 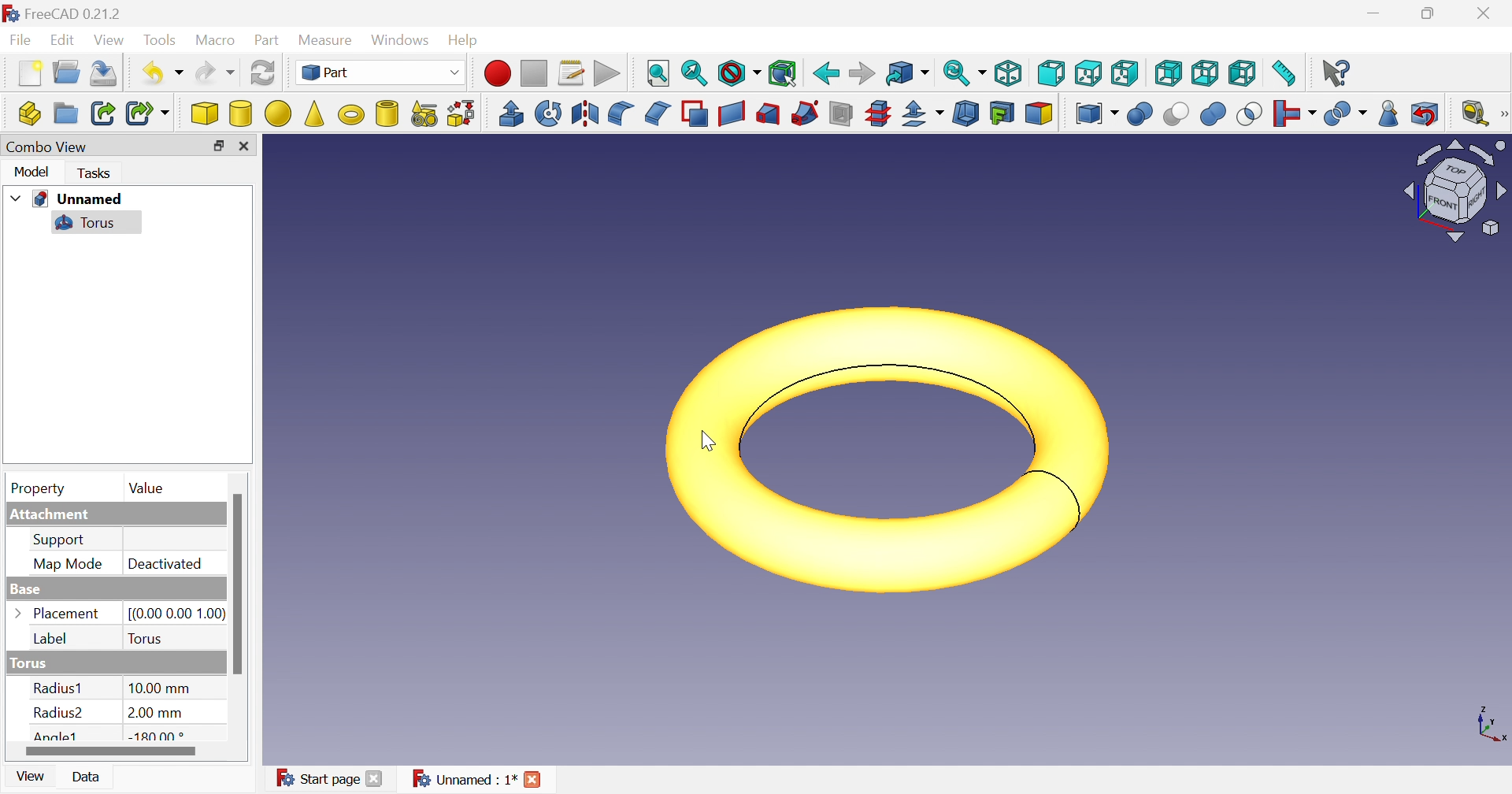 I want to click on View, so click(x=34, y=777).